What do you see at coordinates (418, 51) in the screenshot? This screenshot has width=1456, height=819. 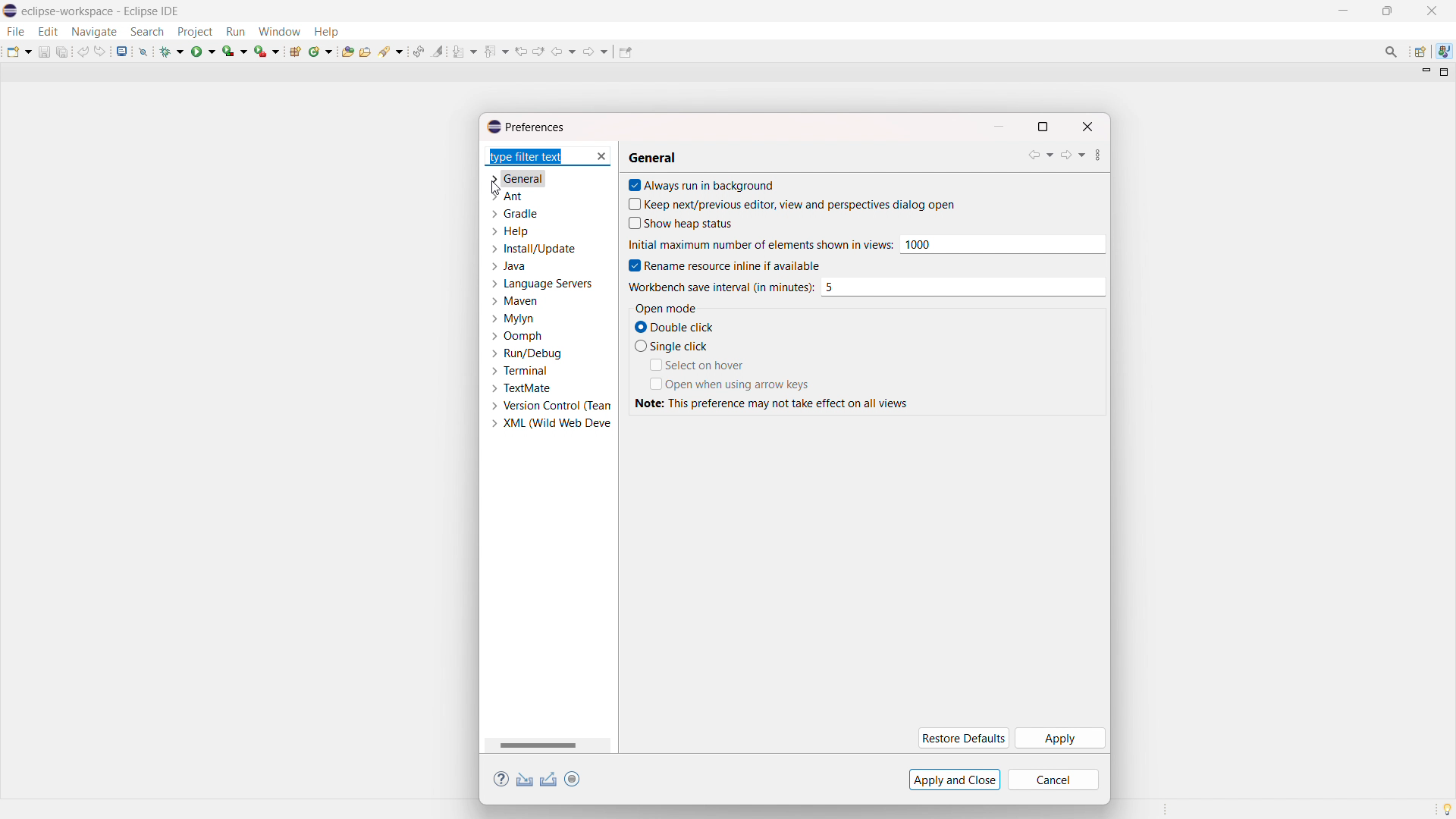 I see `toggle ant editor auto reconcile` at bounding box center [418, 51].